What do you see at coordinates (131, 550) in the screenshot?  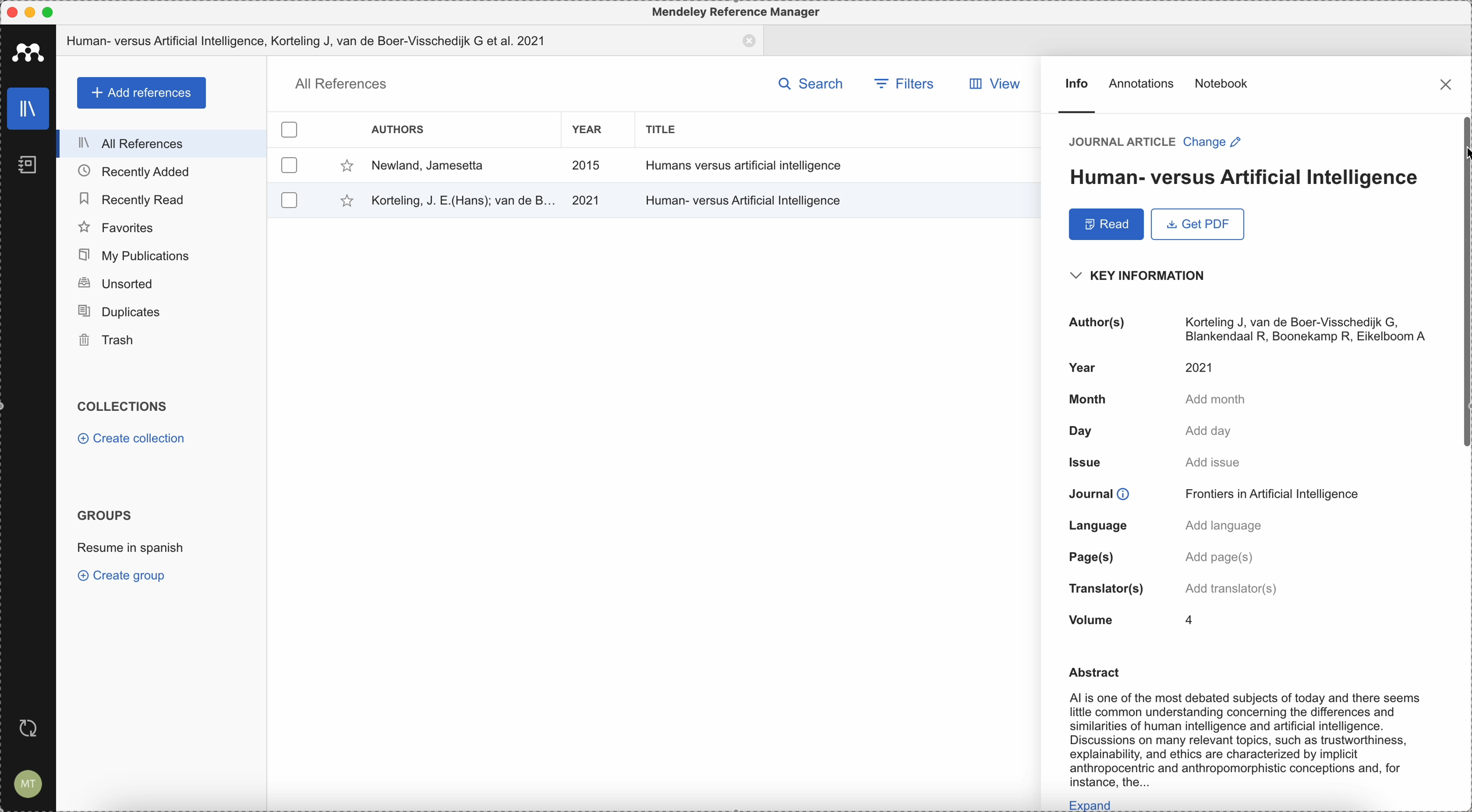 I see `resume in spanish group` at bounding box center [131, 550].